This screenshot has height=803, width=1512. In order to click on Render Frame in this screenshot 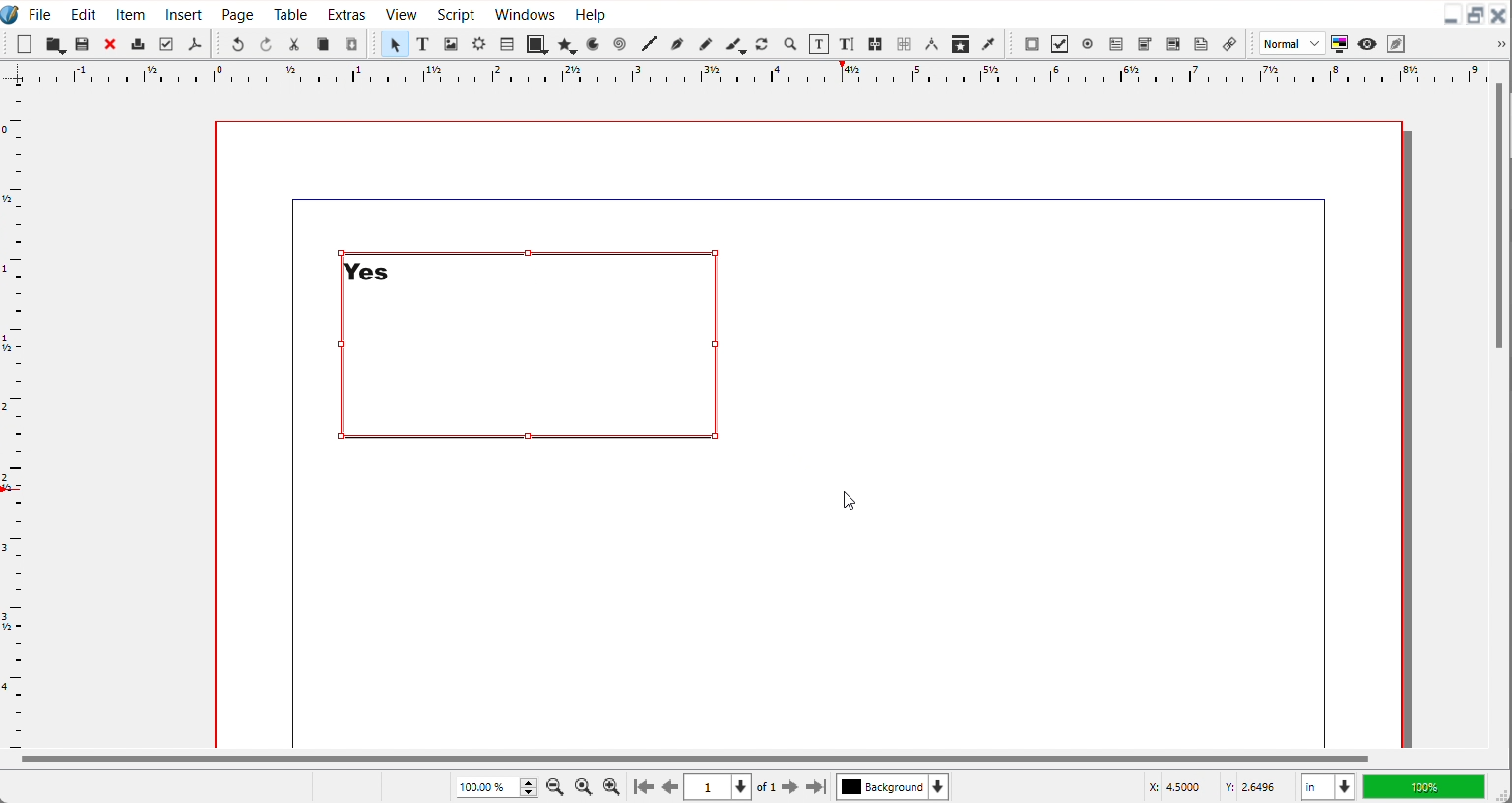, I will do `click(478, 43)`.